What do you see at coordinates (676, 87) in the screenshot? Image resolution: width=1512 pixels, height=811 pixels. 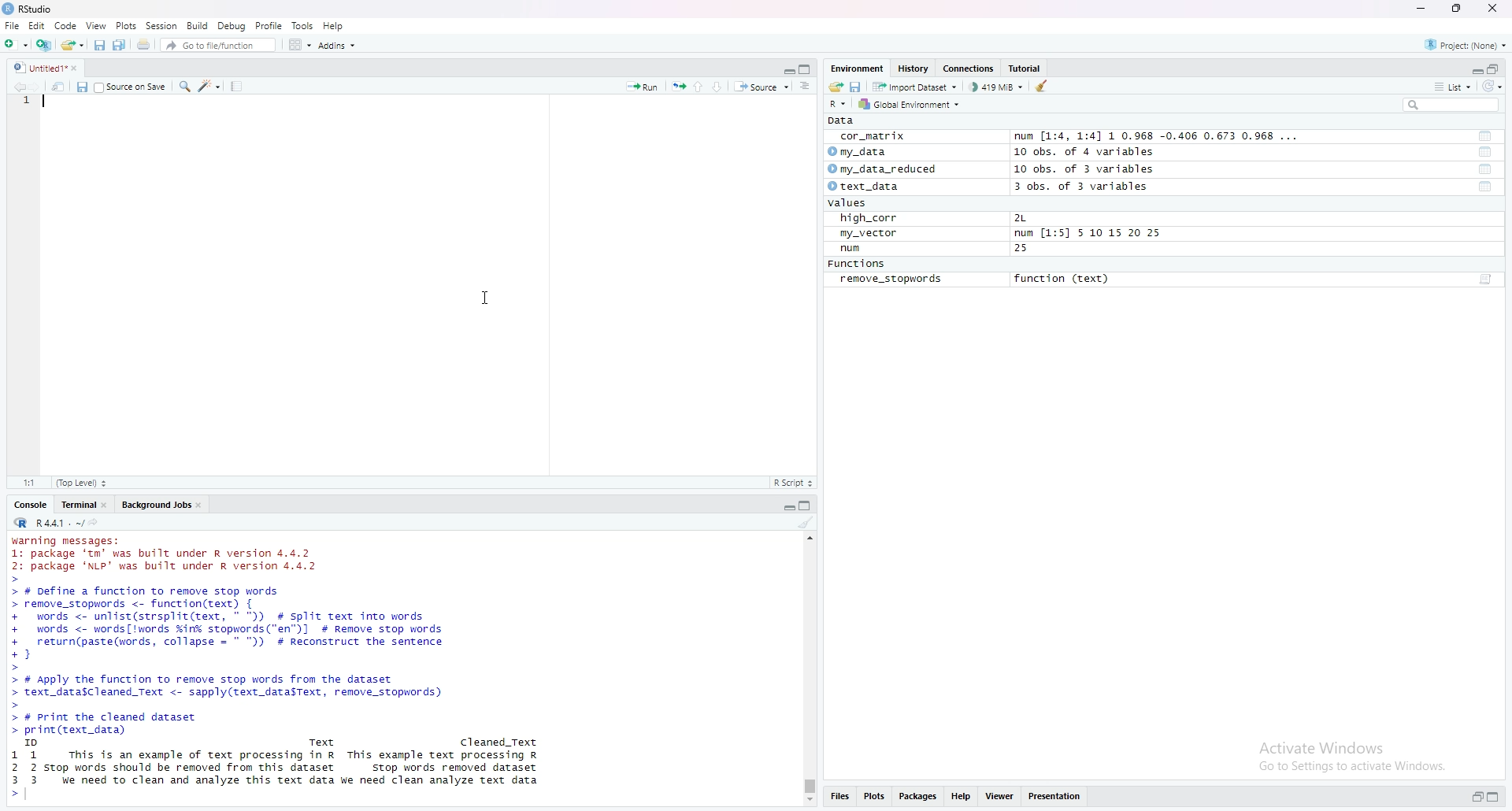 I see `re-run` at bounding box center [676, 87].